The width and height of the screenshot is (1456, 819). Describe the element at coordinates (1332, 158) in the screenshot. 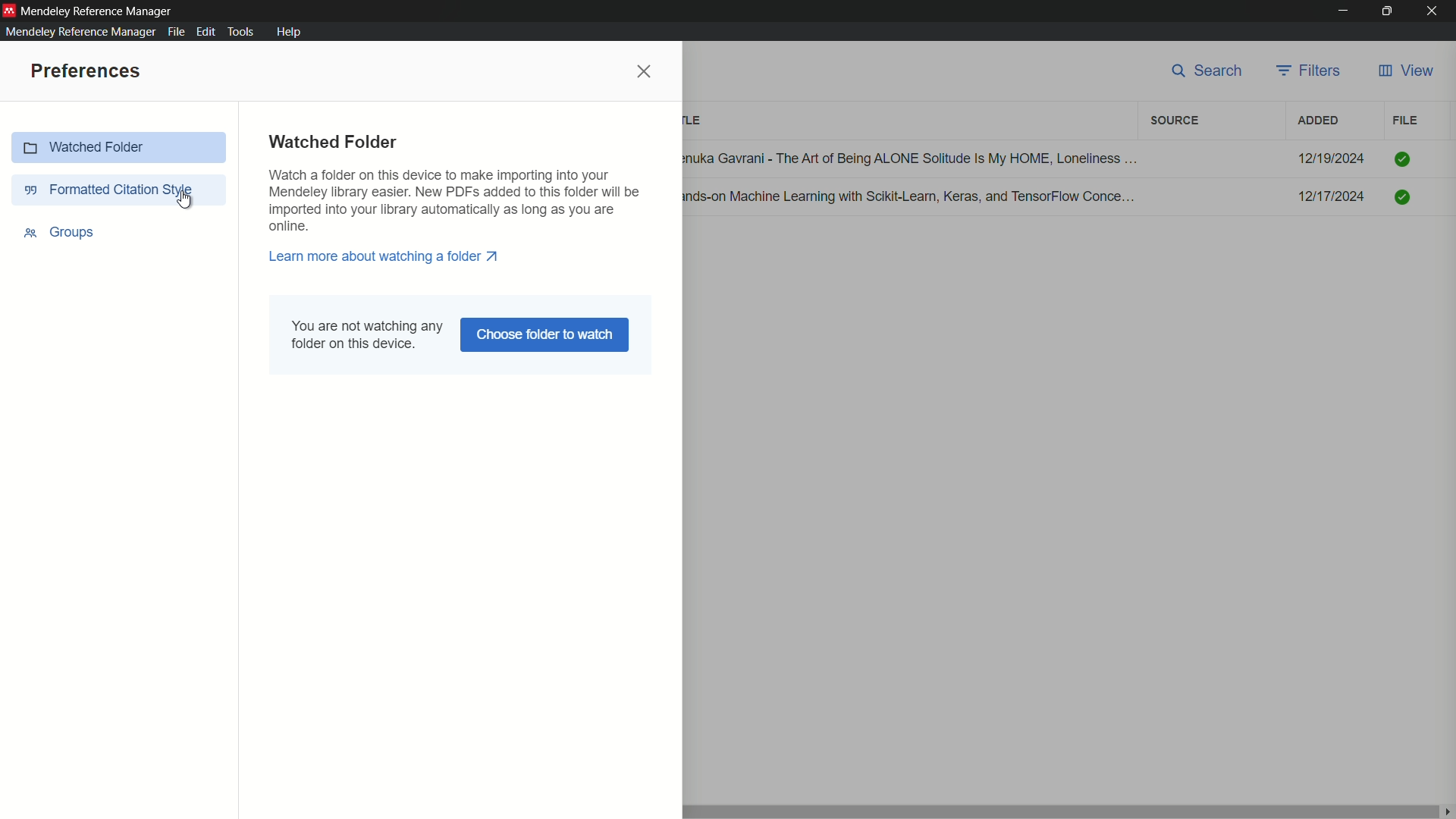

I see `12/19/2024` at that location.